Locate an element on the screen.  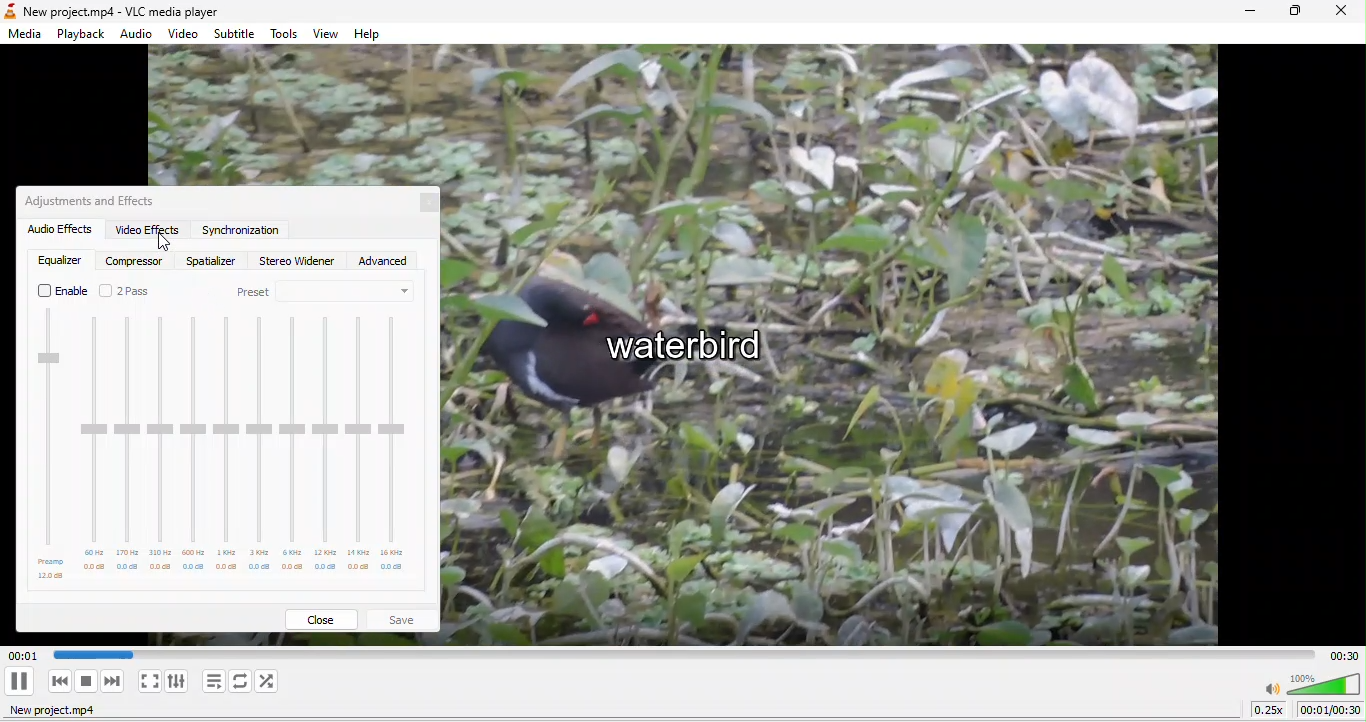
close is located at coordinates (424, 204).